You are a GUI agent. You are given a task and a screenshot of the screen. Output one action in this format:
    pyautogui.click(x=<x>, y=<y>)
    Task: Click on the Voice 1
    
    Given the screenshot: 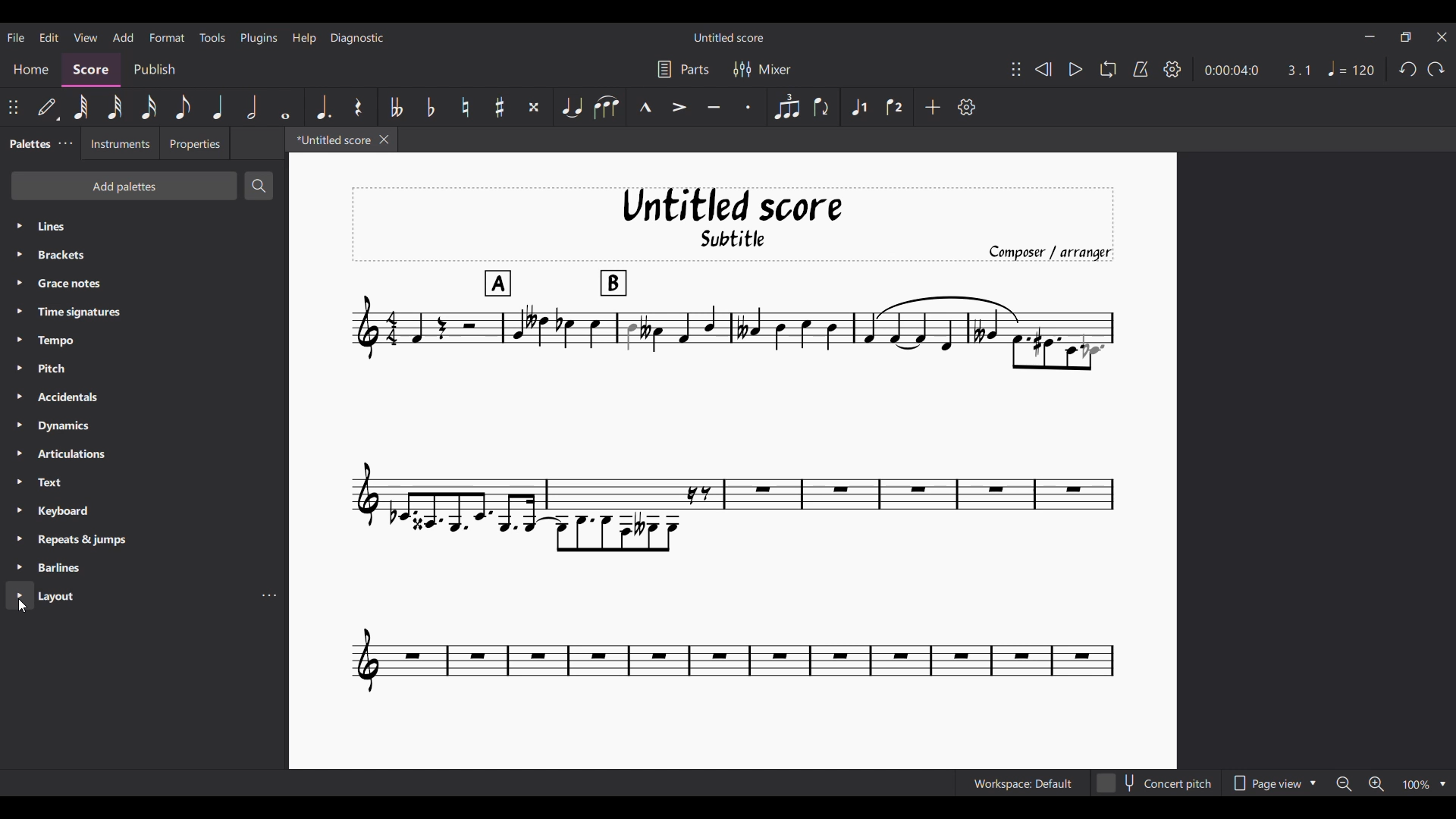 What is the action you would take?
    pyautogui.click(x=858, y=107)
    